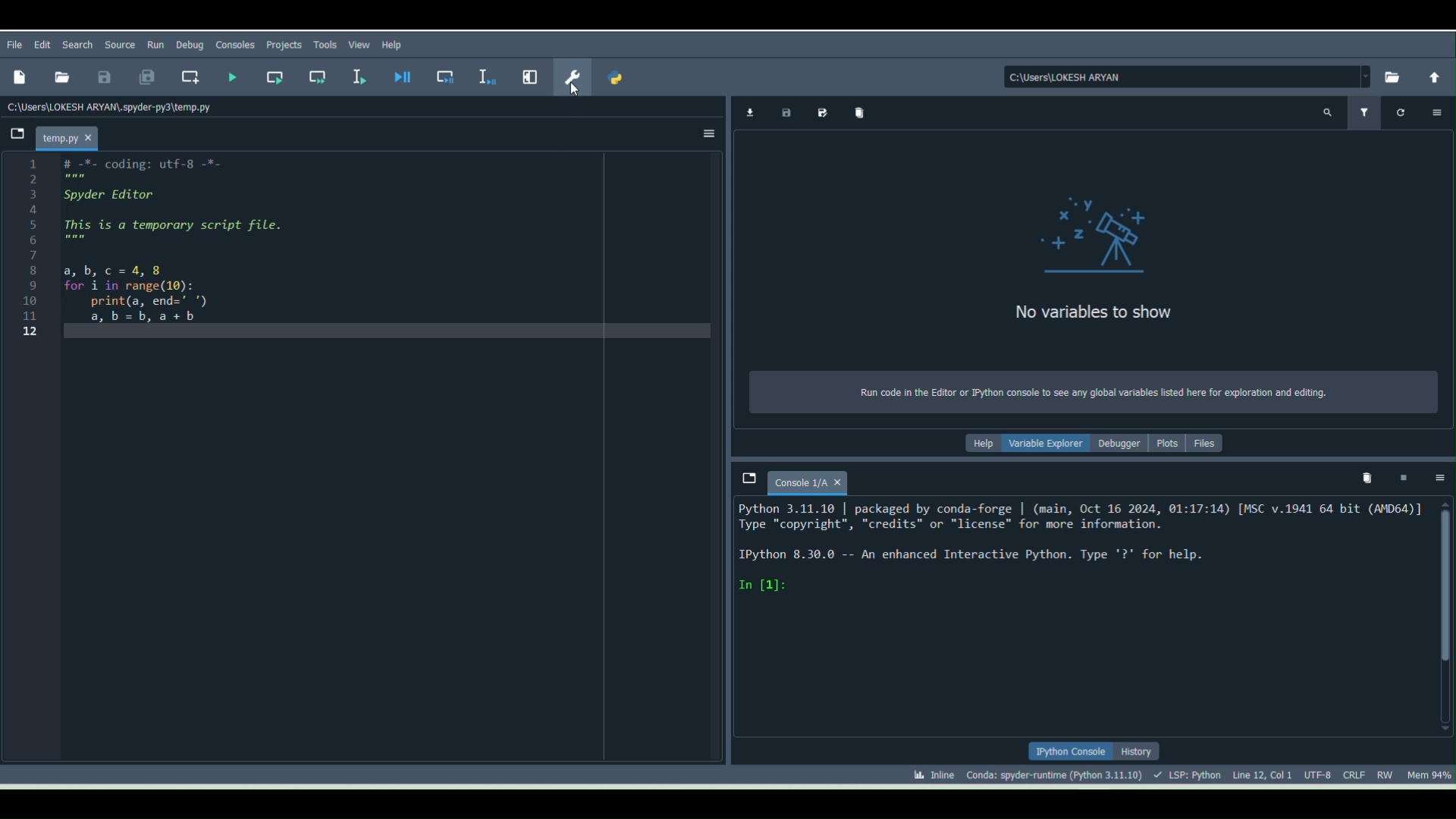  Describe the element at coordinates (1442, 615) in the screenshot. I see `Scrollbar` at that location.